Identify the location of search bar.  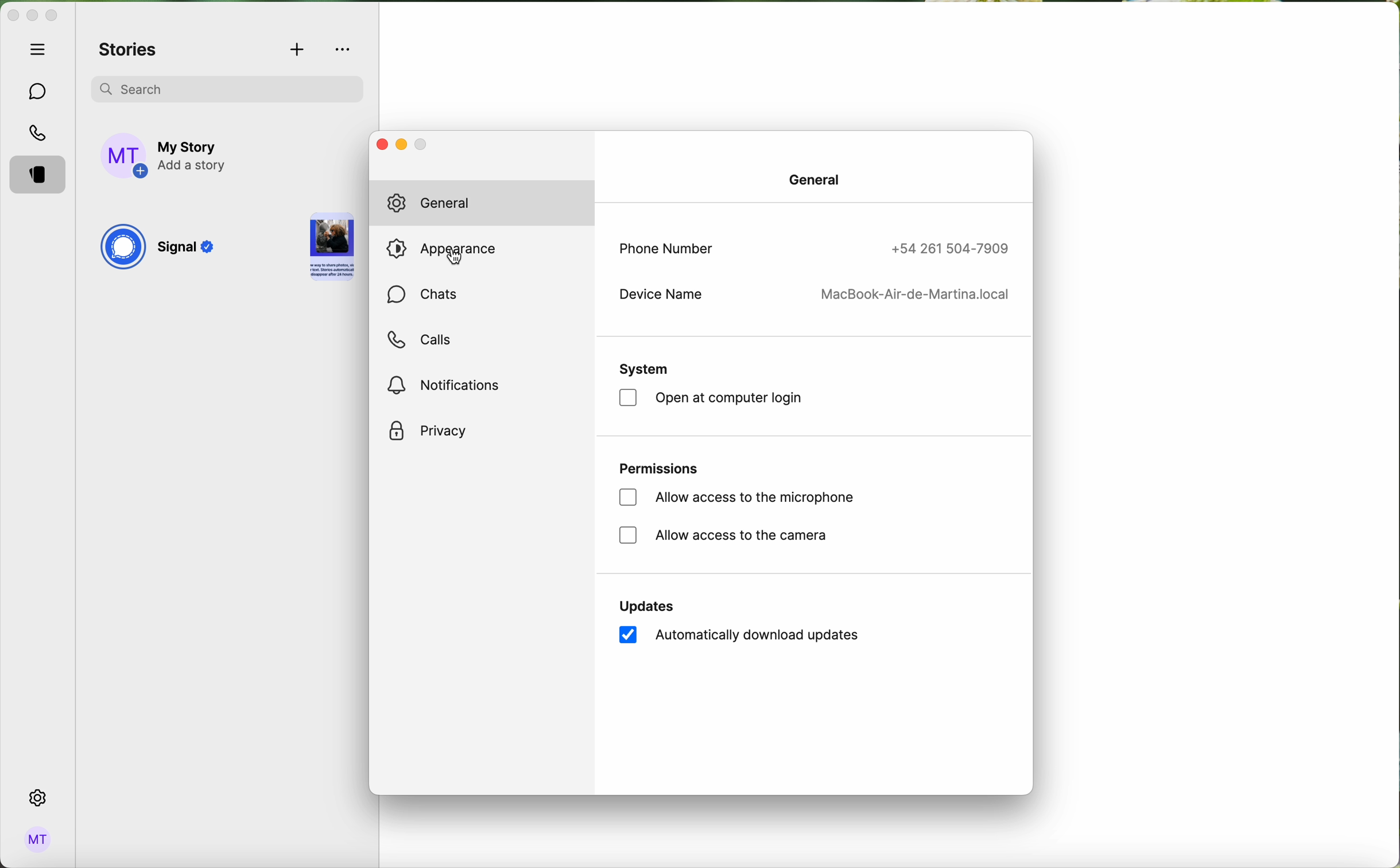
(227, 87).